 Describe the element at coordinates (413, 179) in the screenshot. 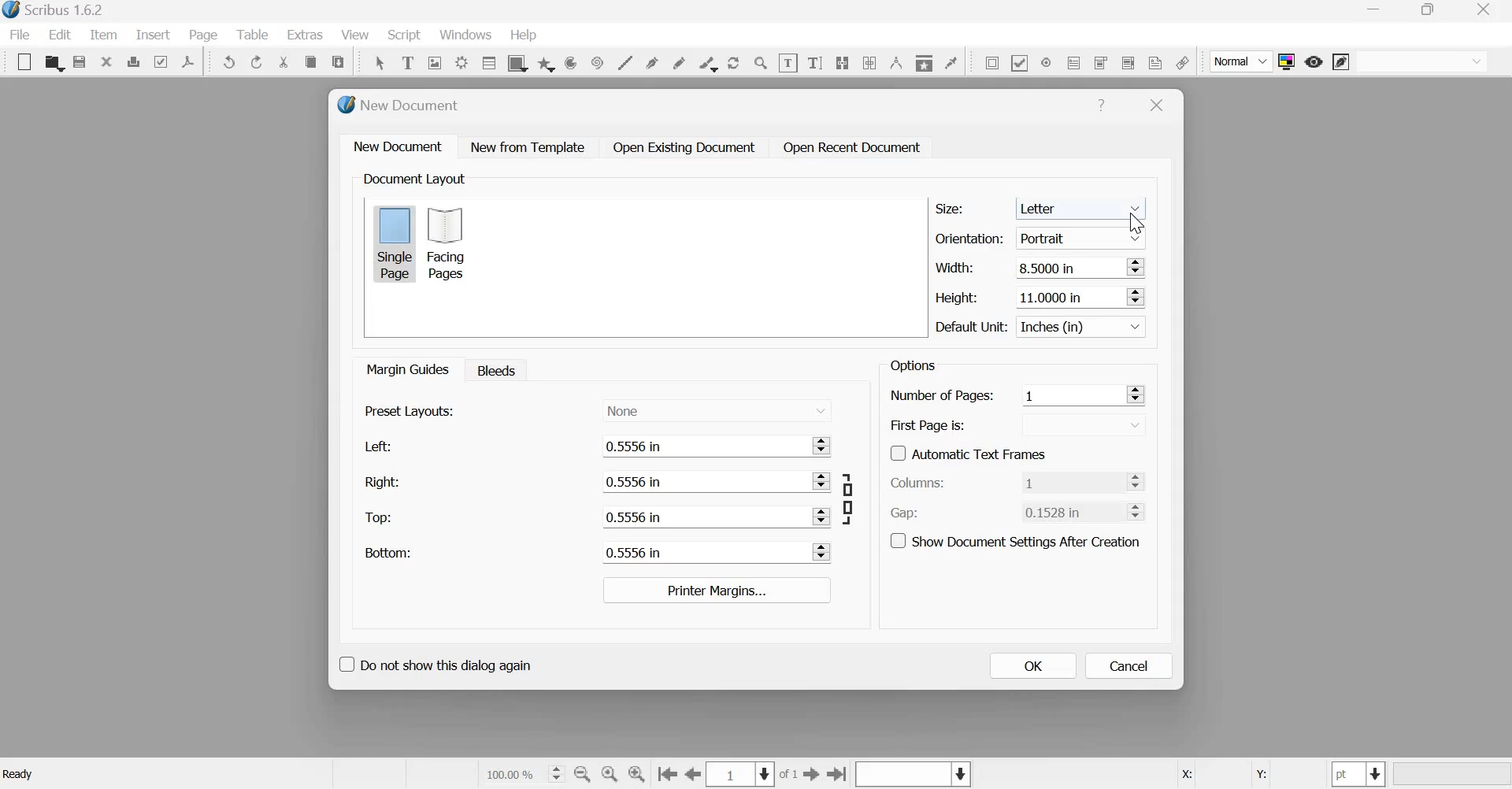

I see `Document Layout` at that location.